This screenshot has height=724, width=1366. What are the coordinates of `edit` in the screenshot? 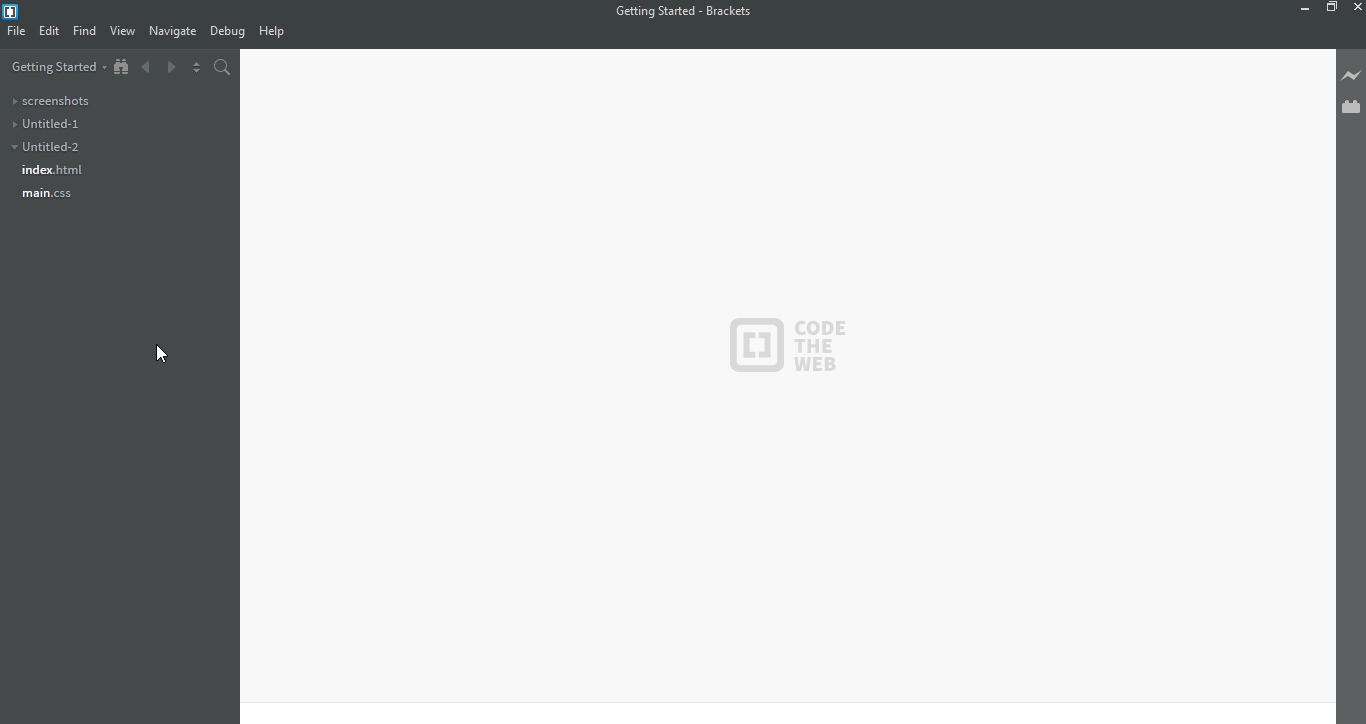 It's located at (52, 32).